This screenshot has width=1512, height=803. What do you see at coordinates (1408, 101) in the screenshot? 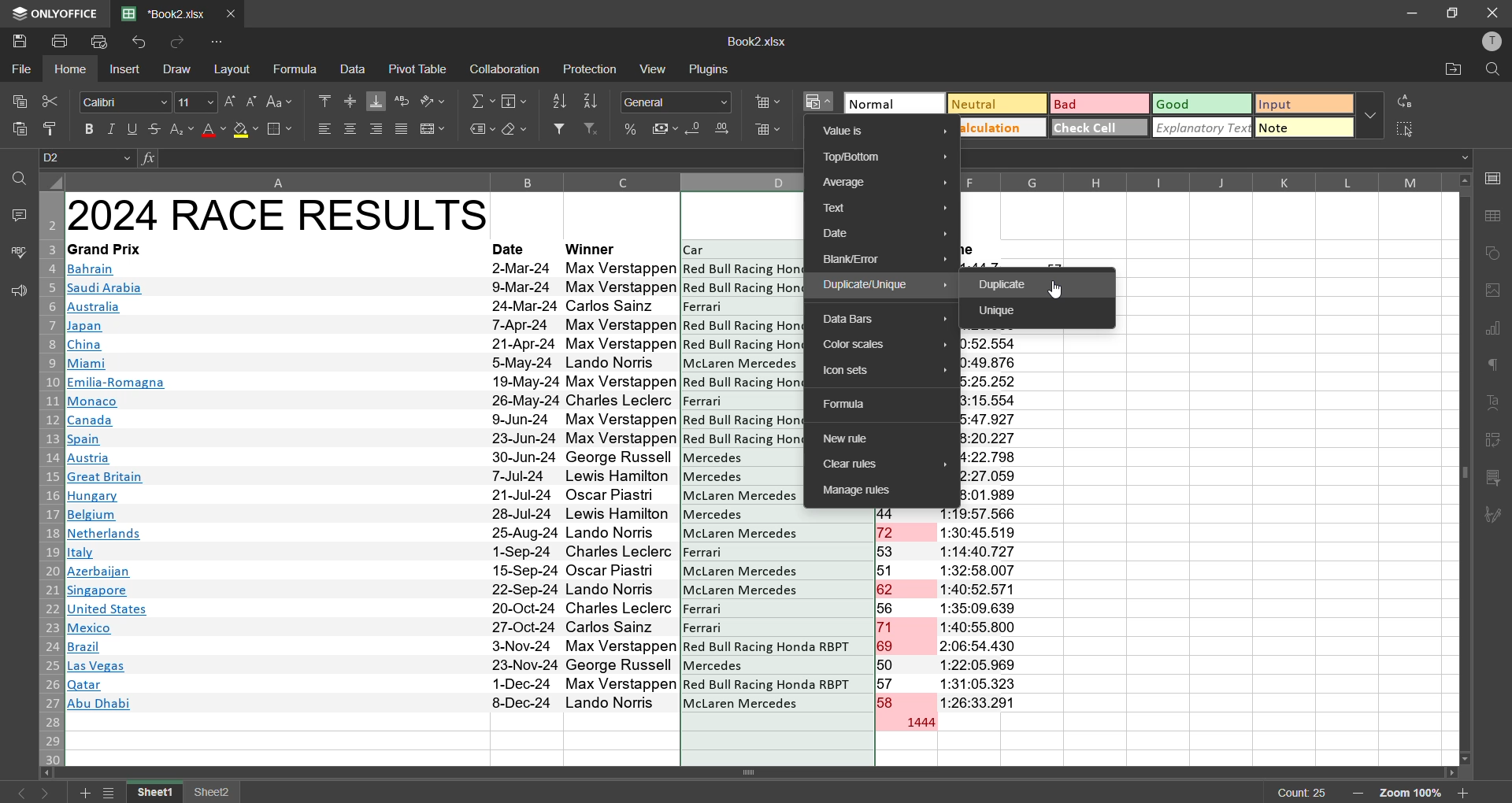
I see `replace` at bounding box center [1408, 101].